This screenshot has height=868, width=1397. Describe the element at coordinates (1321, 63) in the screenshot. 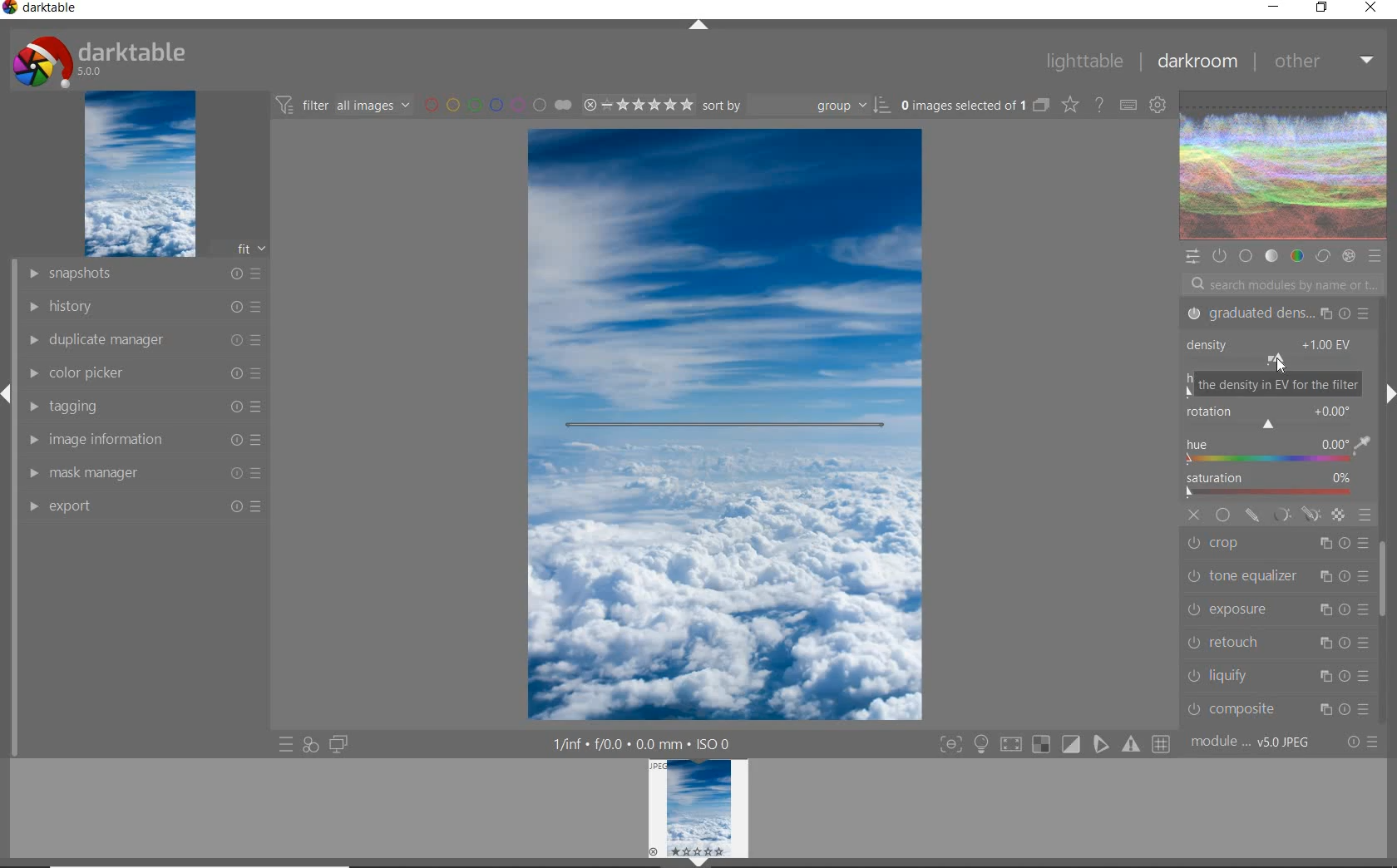

I see `OTHER` at that location.